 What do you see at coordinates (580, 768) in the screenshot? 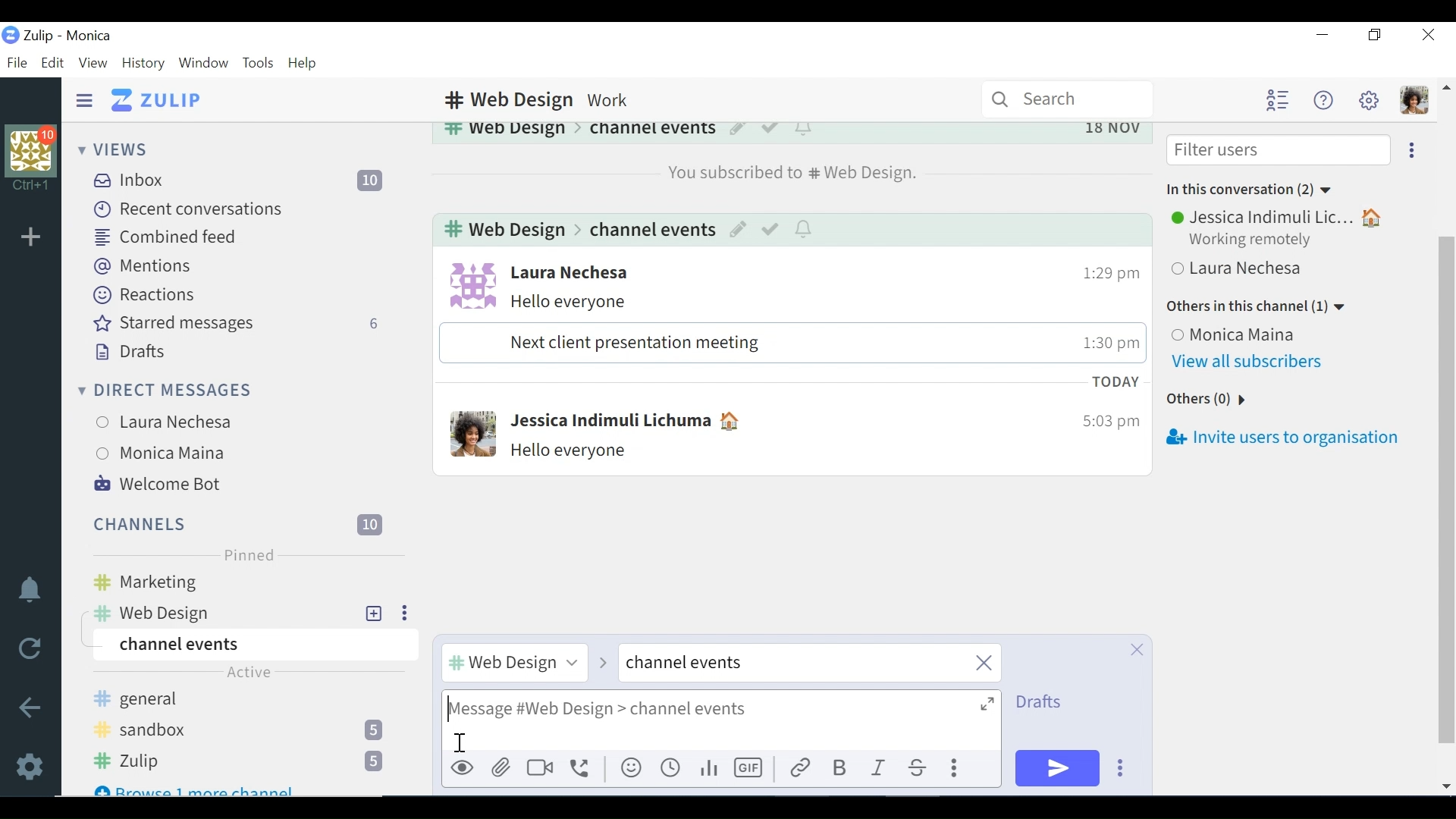
I see `Add voice call` at bounding box center [580, 768].